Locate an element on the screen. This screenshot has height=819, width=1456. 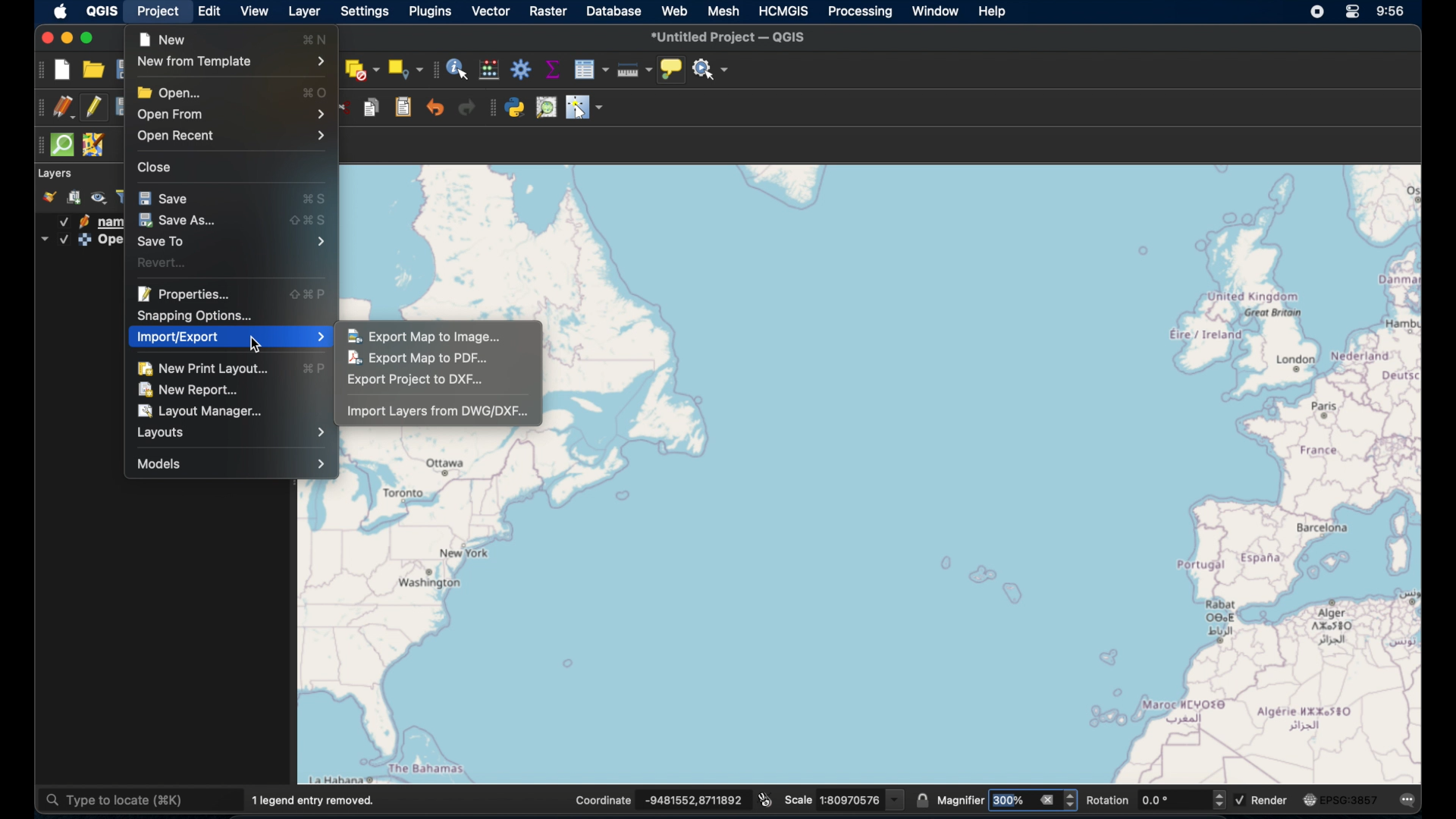
layer is located at coordinates (56, 174).